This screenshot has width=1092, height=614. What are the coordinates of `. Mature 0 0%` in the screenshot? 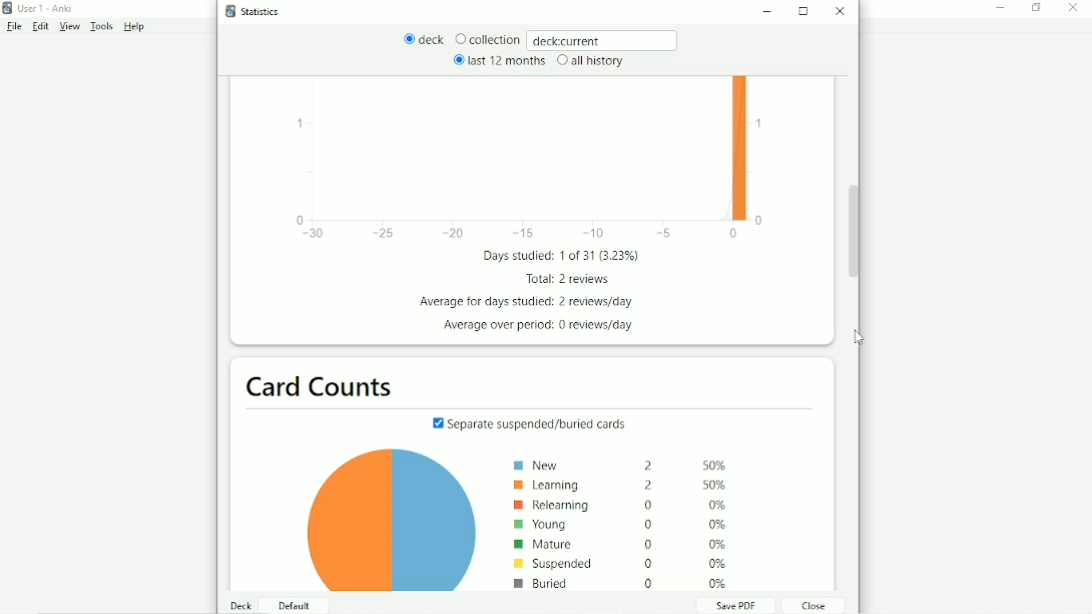 It's located at (620, 544).